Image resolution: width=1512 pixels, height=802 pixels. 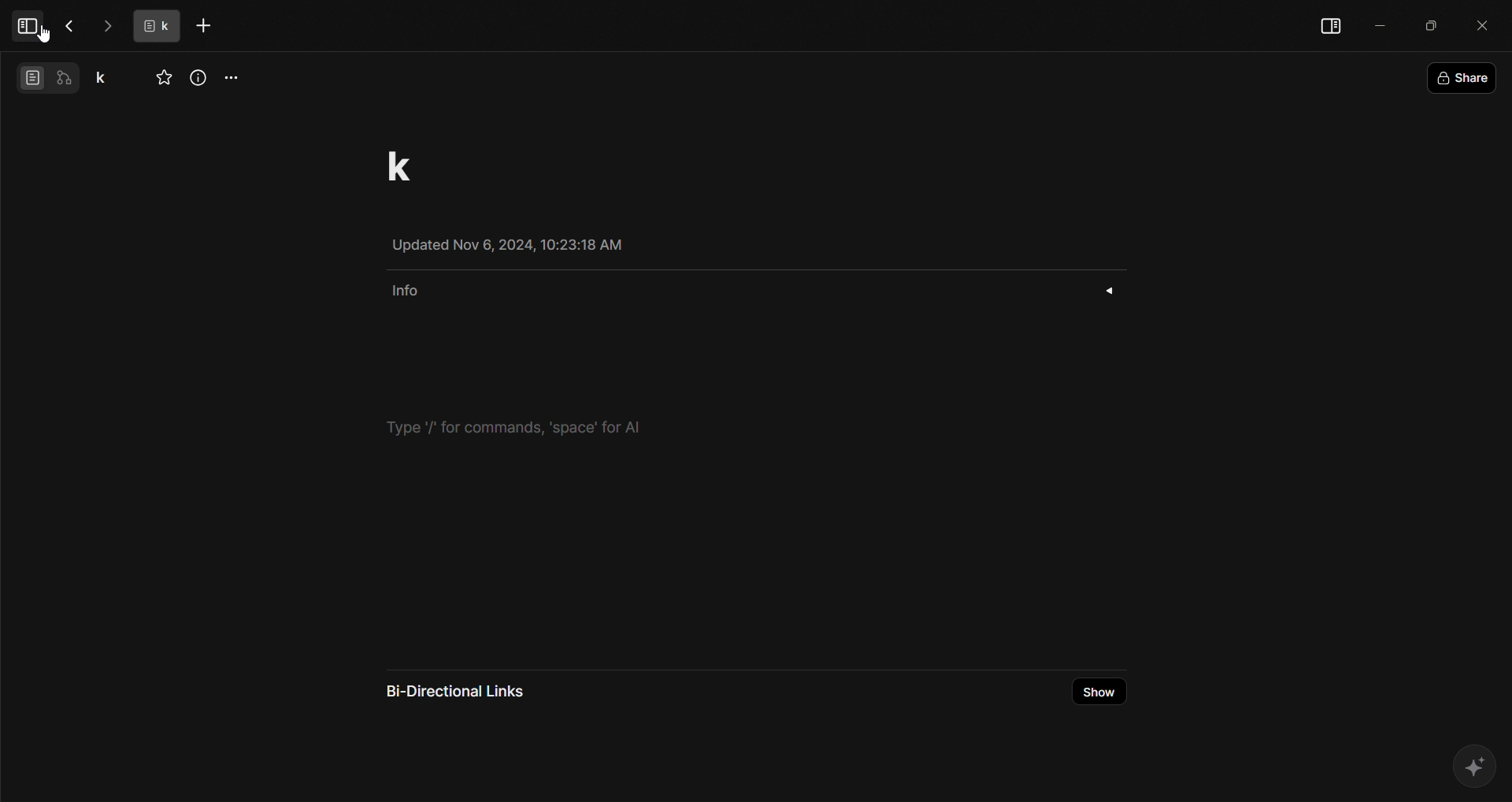 What do you see at coordinates (108, 25) in the screenshot?
I see `go next` at bounding box center [108, 25].